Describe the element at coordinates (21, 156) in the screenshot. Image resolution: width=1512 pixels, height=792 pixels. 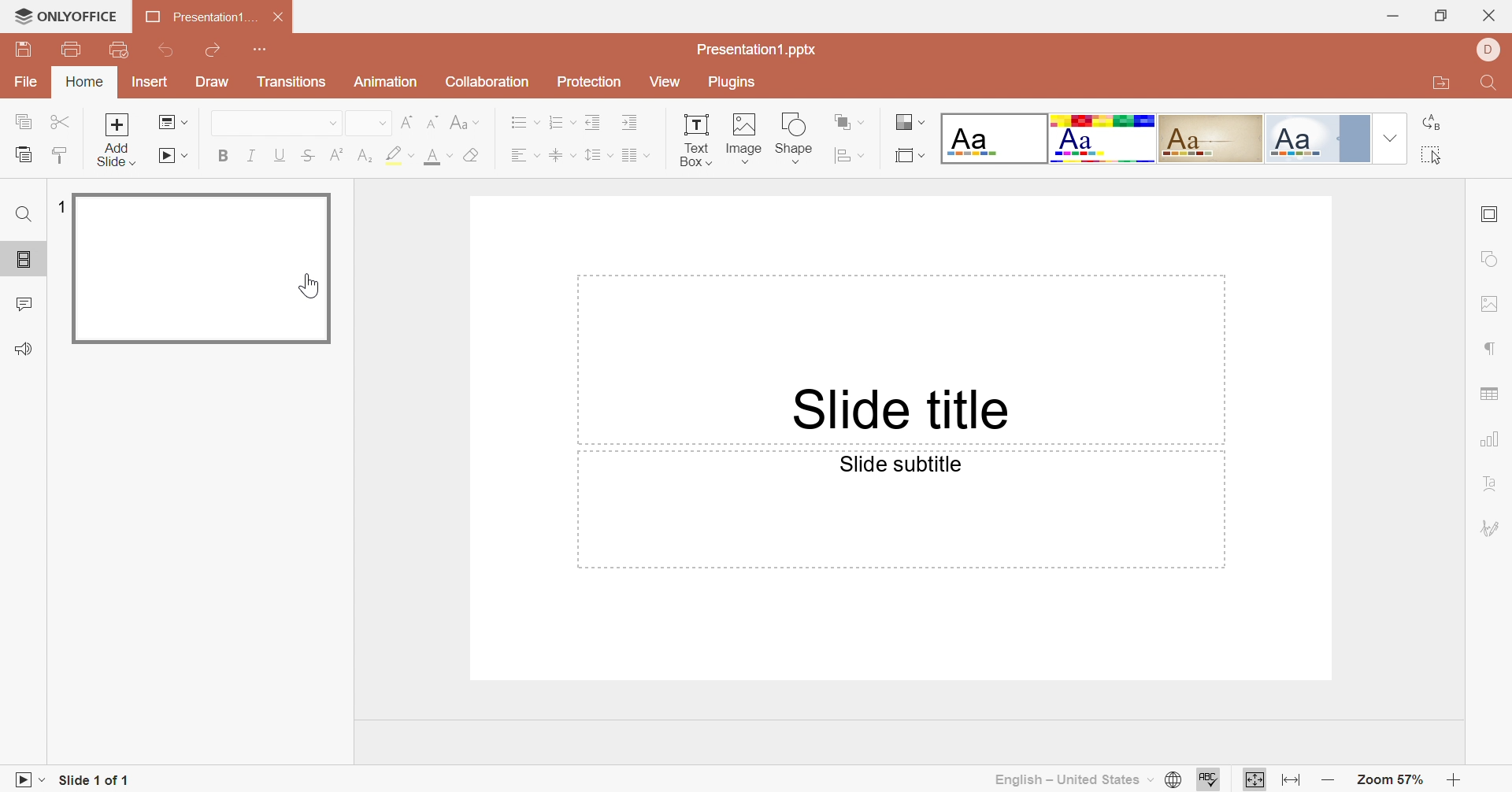
I see `Paste` at that location.